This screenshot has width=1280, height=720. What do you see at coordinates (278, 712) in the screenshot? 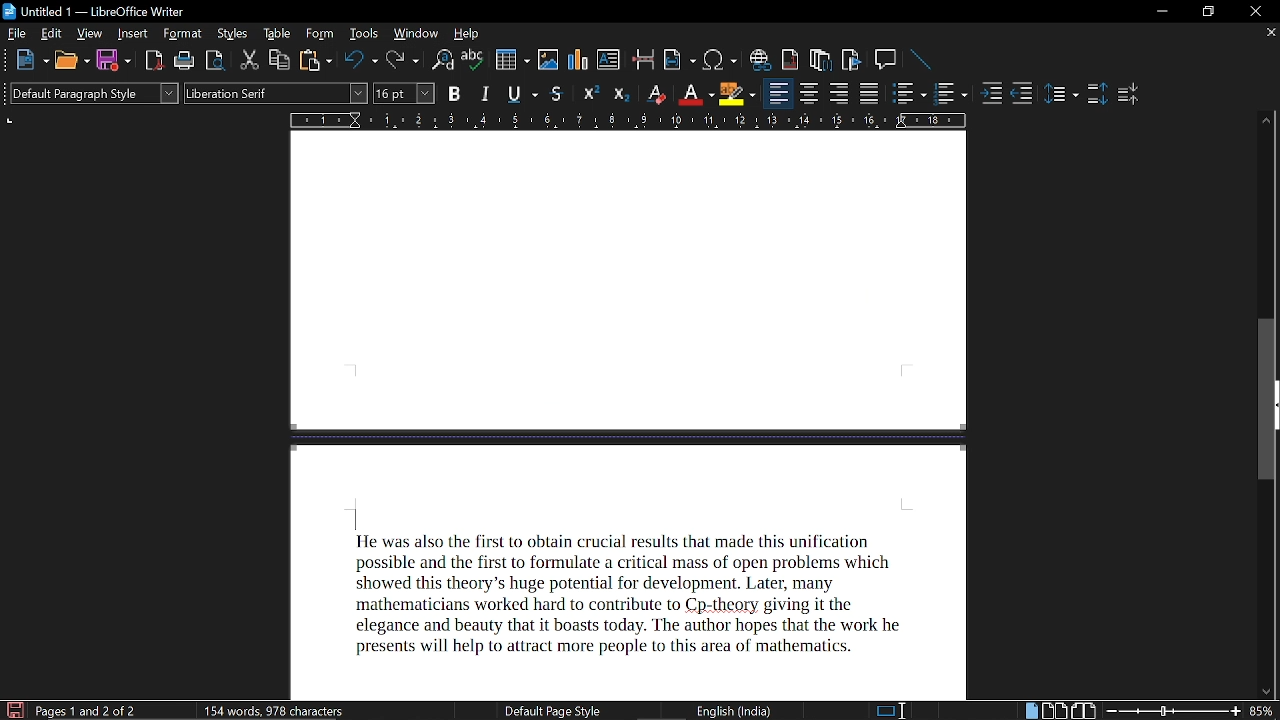
I see `words and character count: 154 words, 978 characters` at bounding box center [278, 712].